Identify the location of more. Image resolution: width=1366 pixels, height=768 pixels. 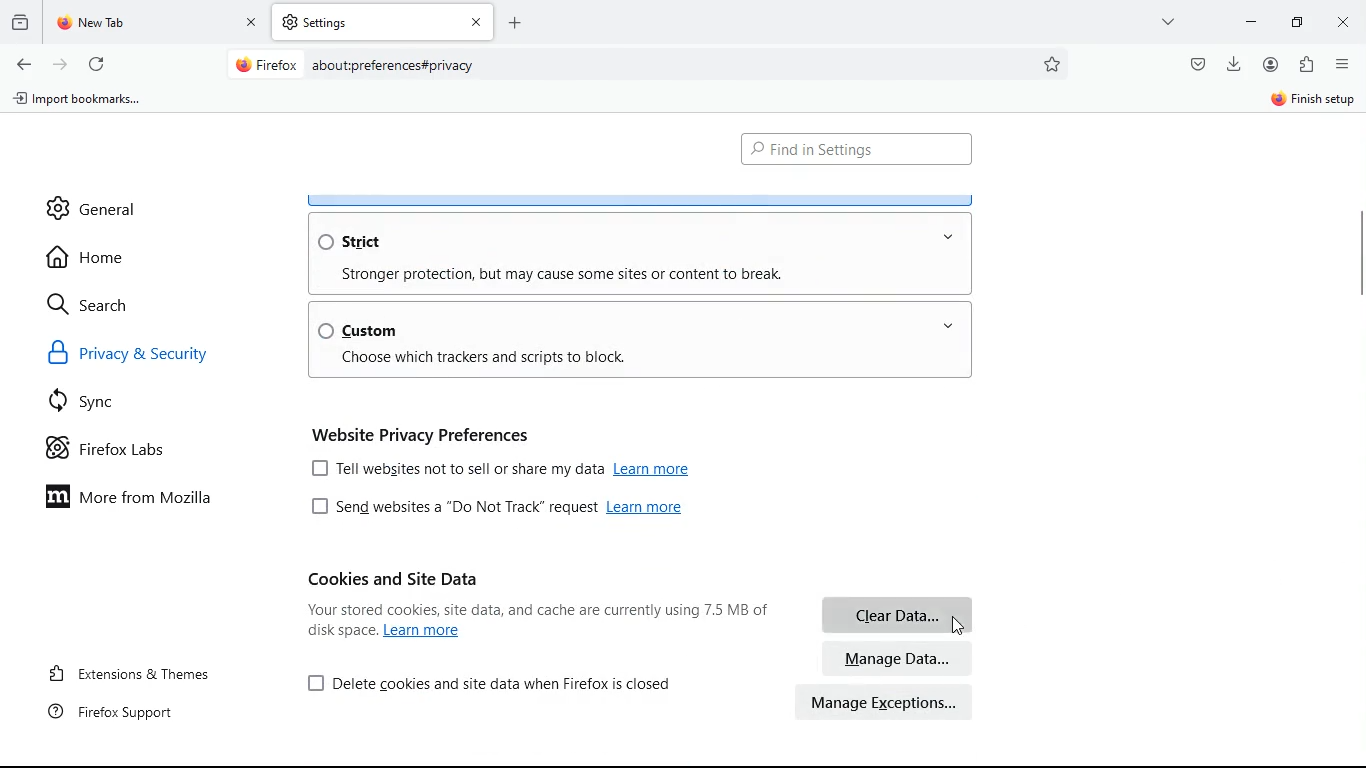
(1171, 21).